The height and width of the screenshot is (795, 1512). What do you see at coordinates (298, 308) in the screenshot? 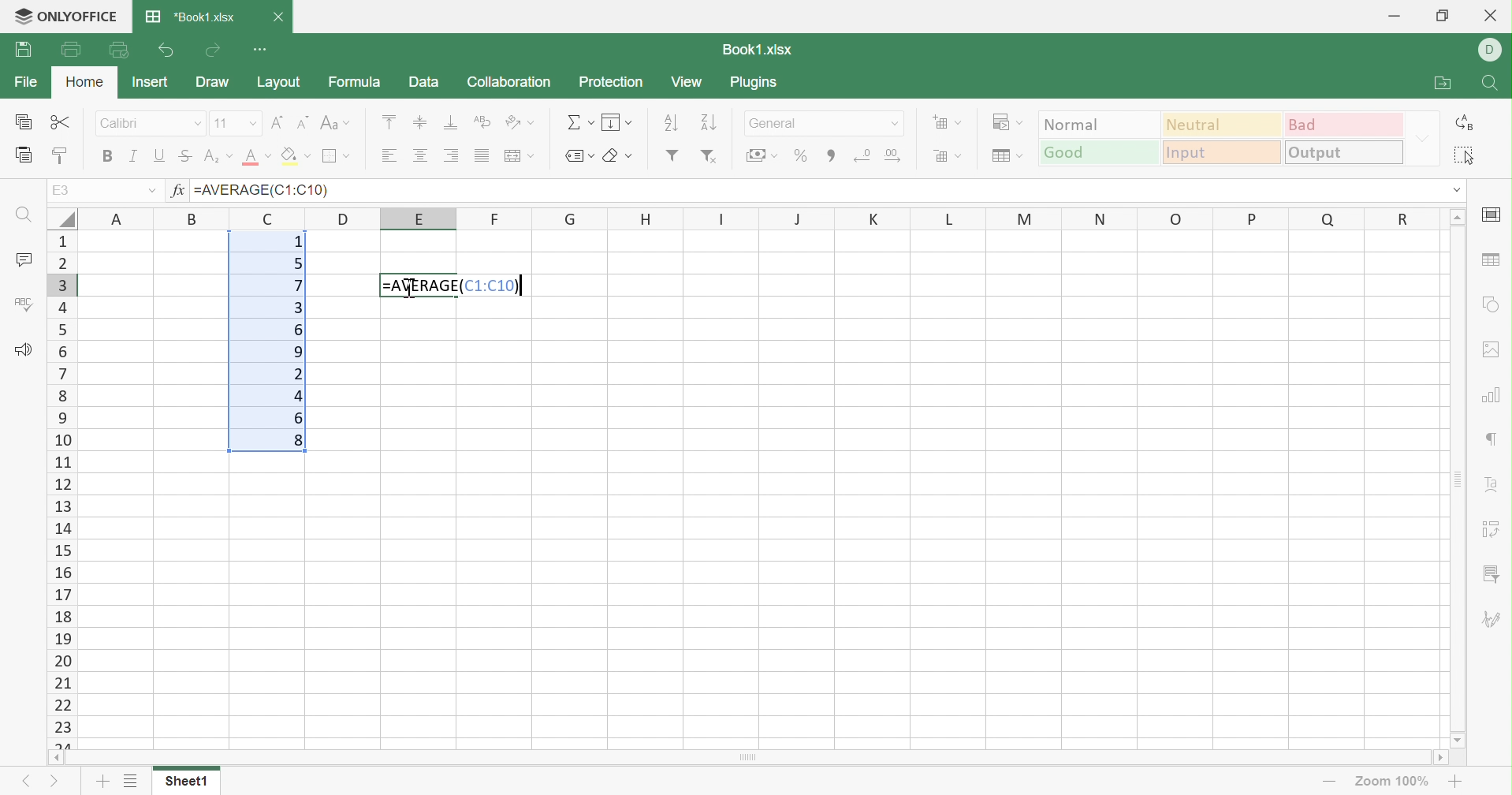
I see `3` at bounding box center [298, 308].